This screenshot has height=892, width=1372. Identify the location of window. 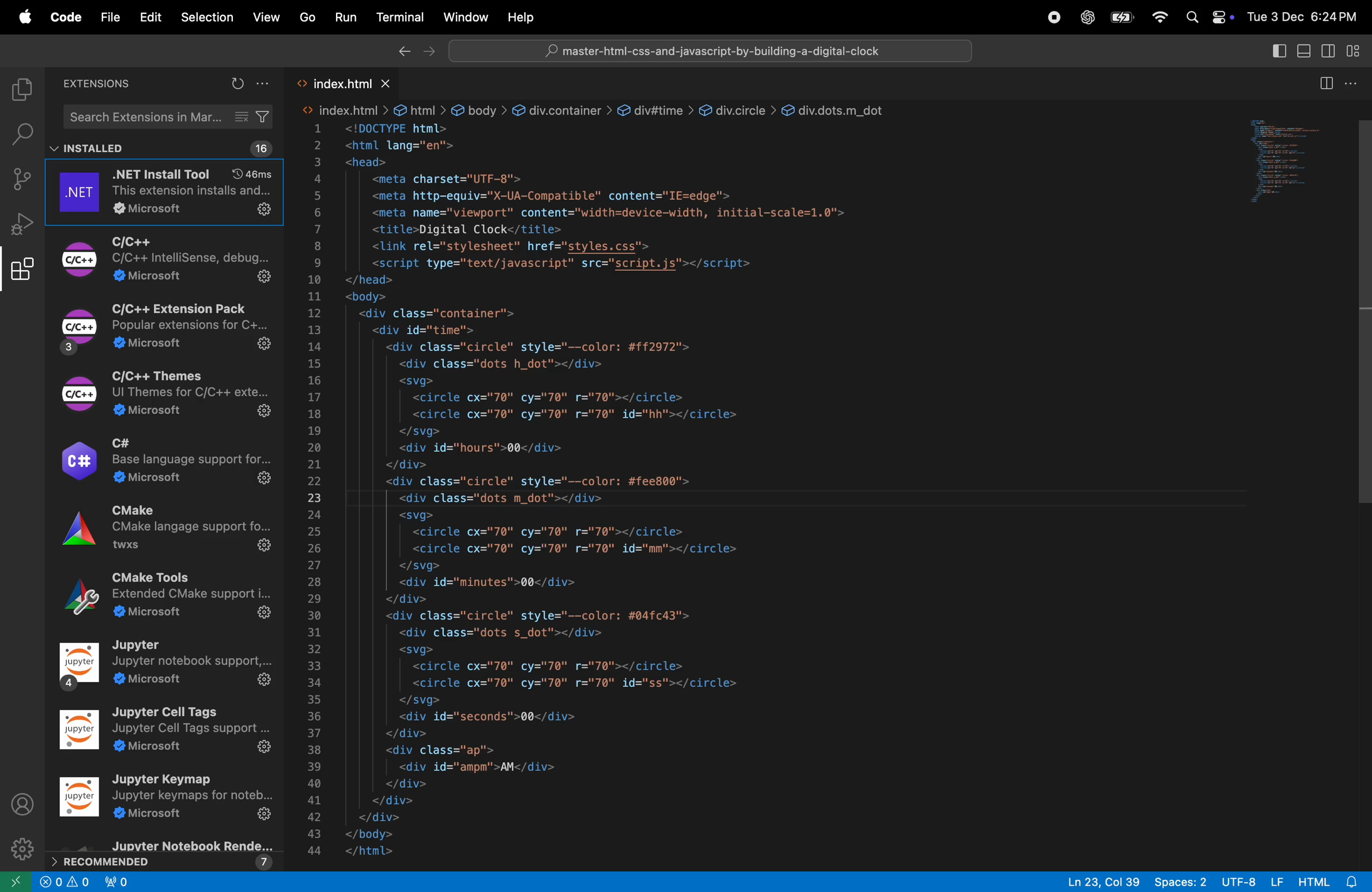
(465, 18).